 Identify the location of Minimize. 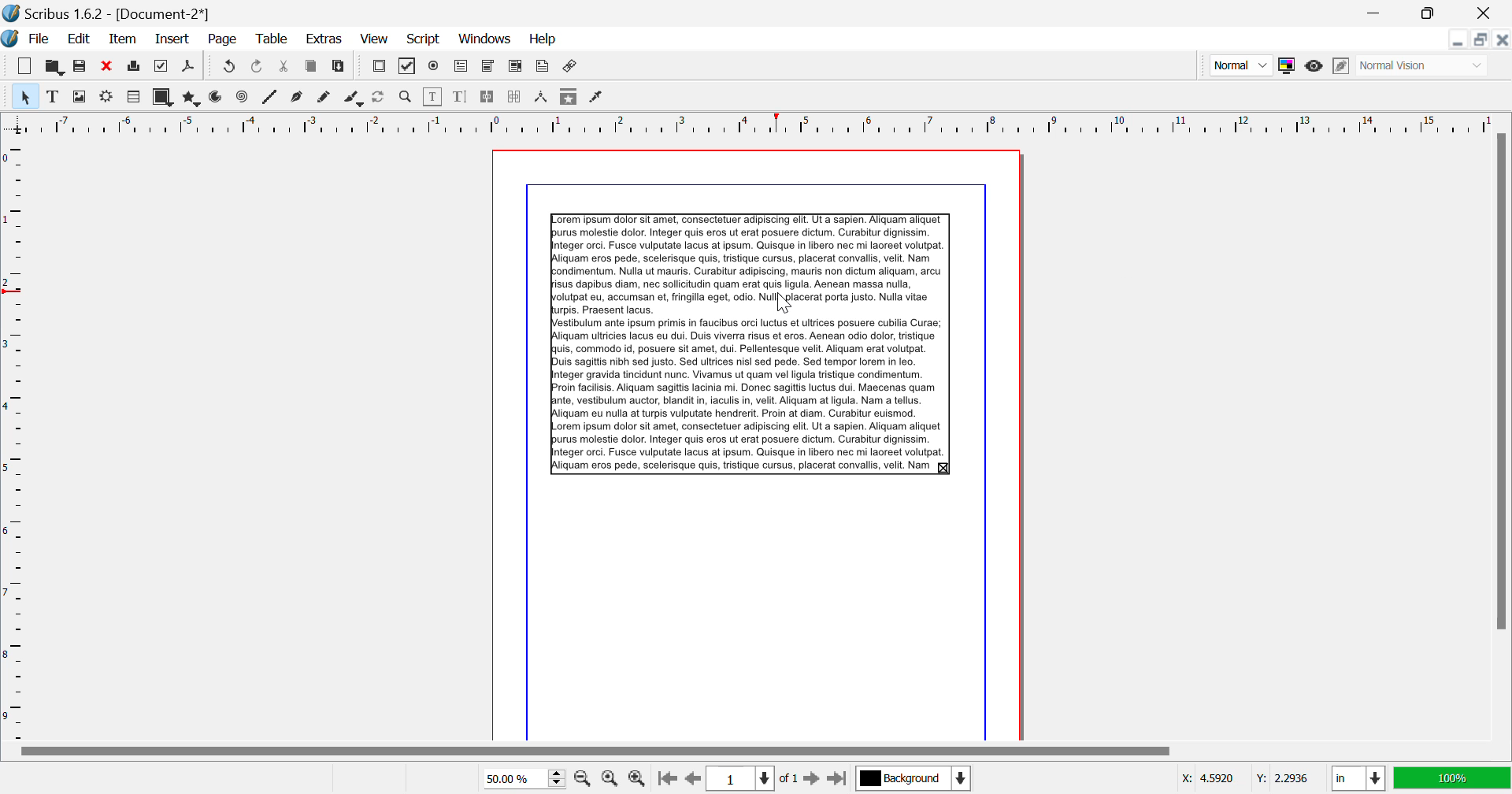
(1432, 13).